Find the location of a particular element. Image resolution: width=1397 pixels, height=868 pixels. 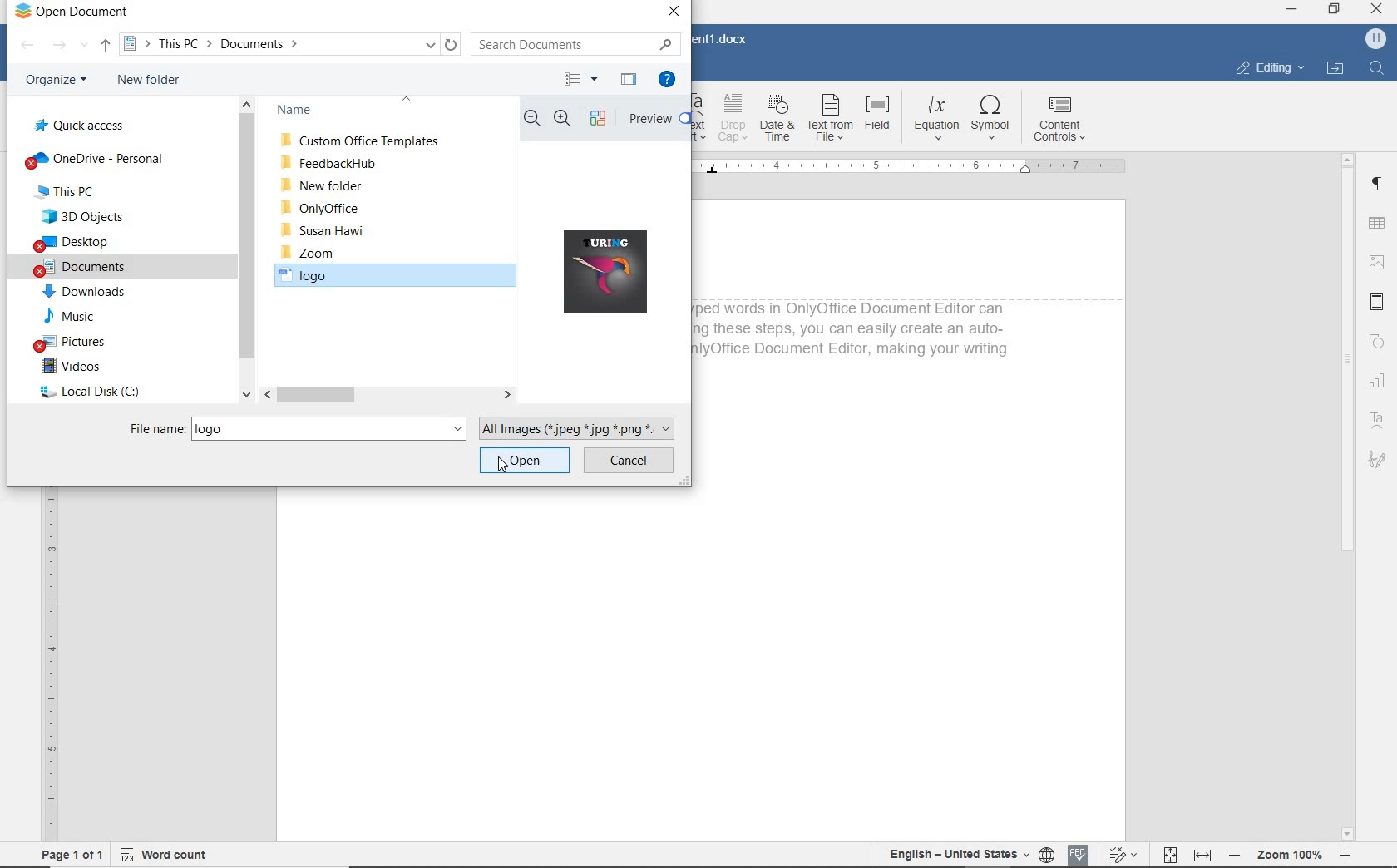

CLOSE is located at coordinates (1375, 8).